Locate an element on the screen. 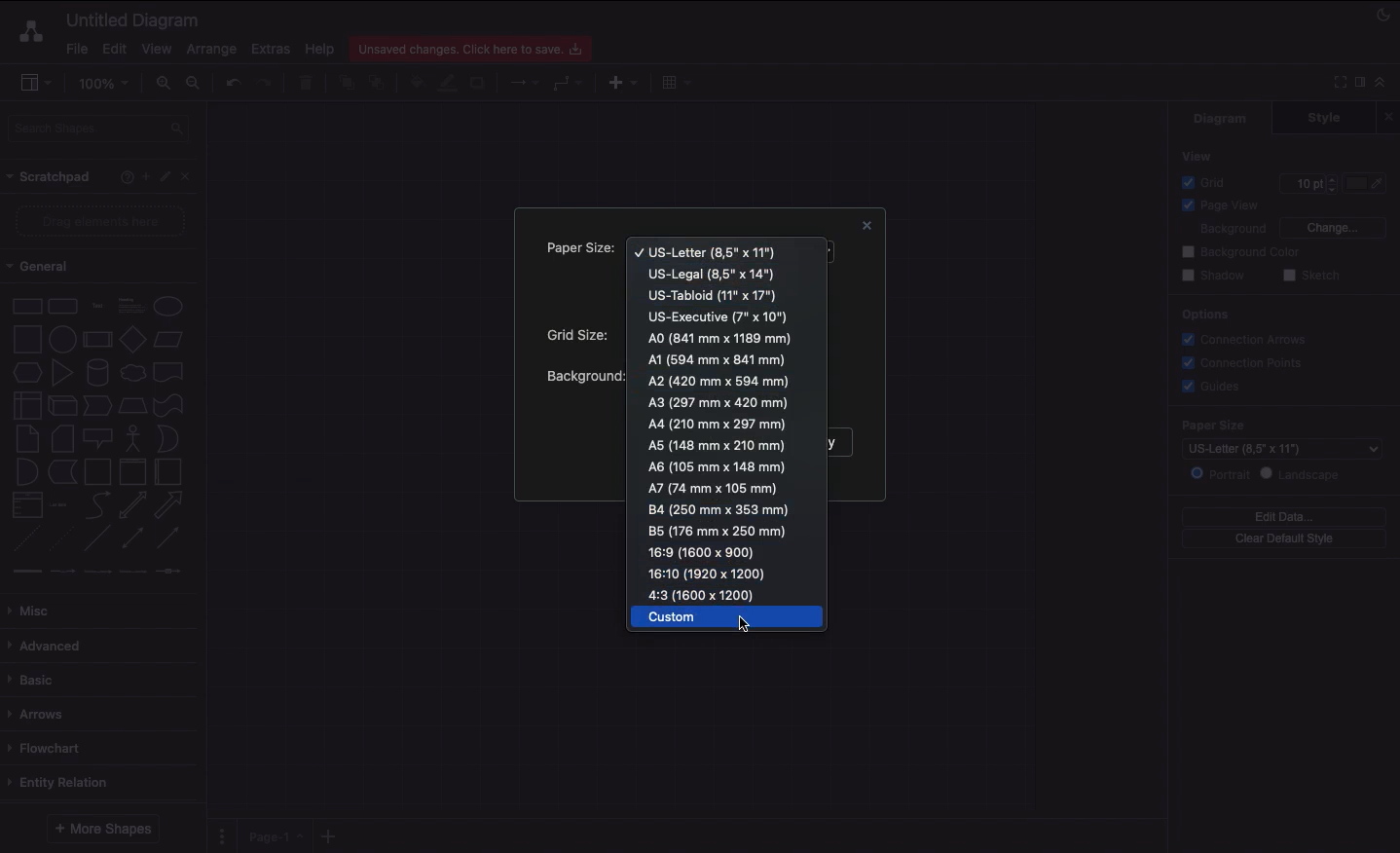 This screenshot has width=1400, height=853. 16:10 is located at coordinates (709, 573).